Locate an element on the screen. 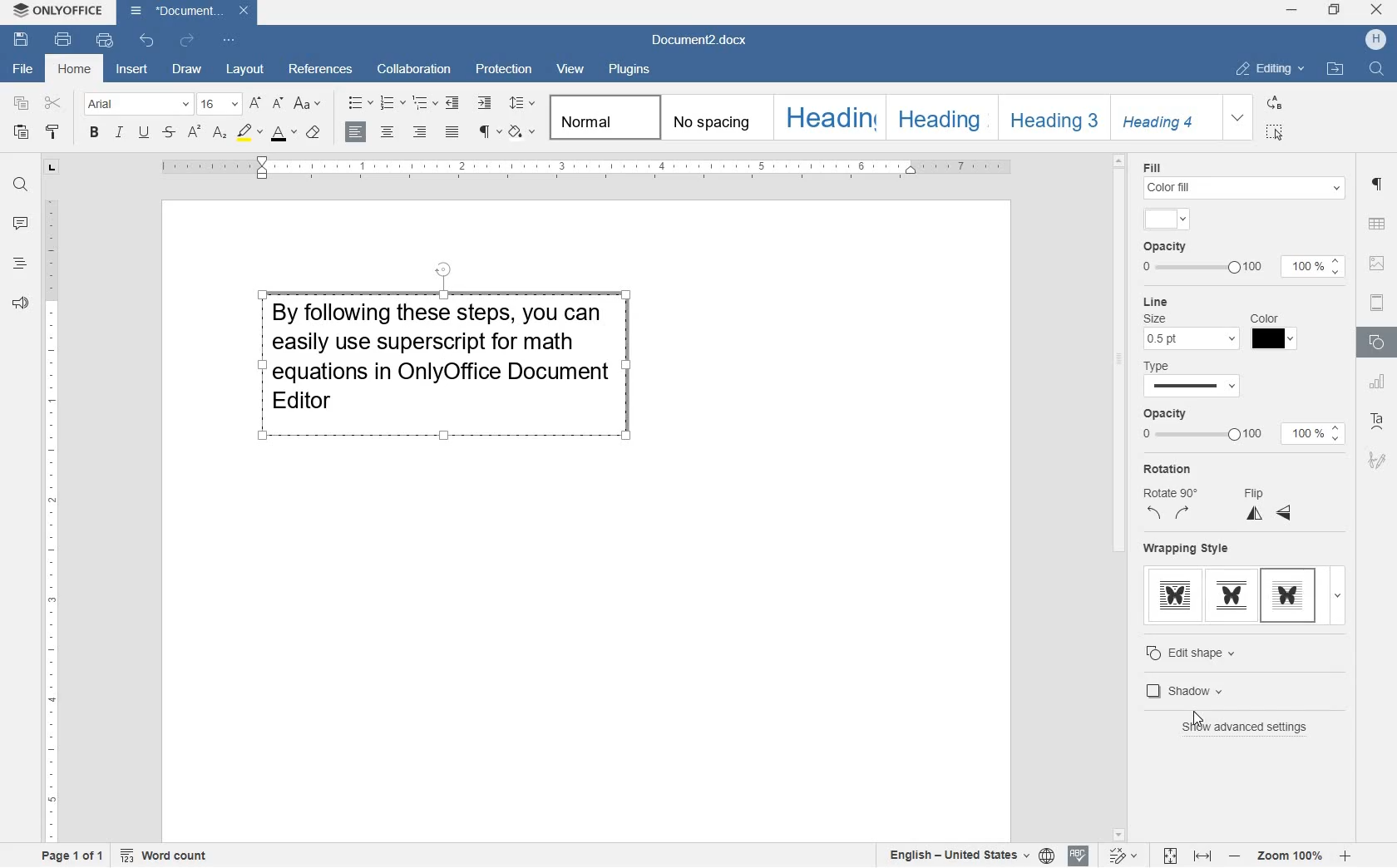 The height and width of the screenshot is (868, 1397). nonprinting characters is located at coordinates (489, 131).